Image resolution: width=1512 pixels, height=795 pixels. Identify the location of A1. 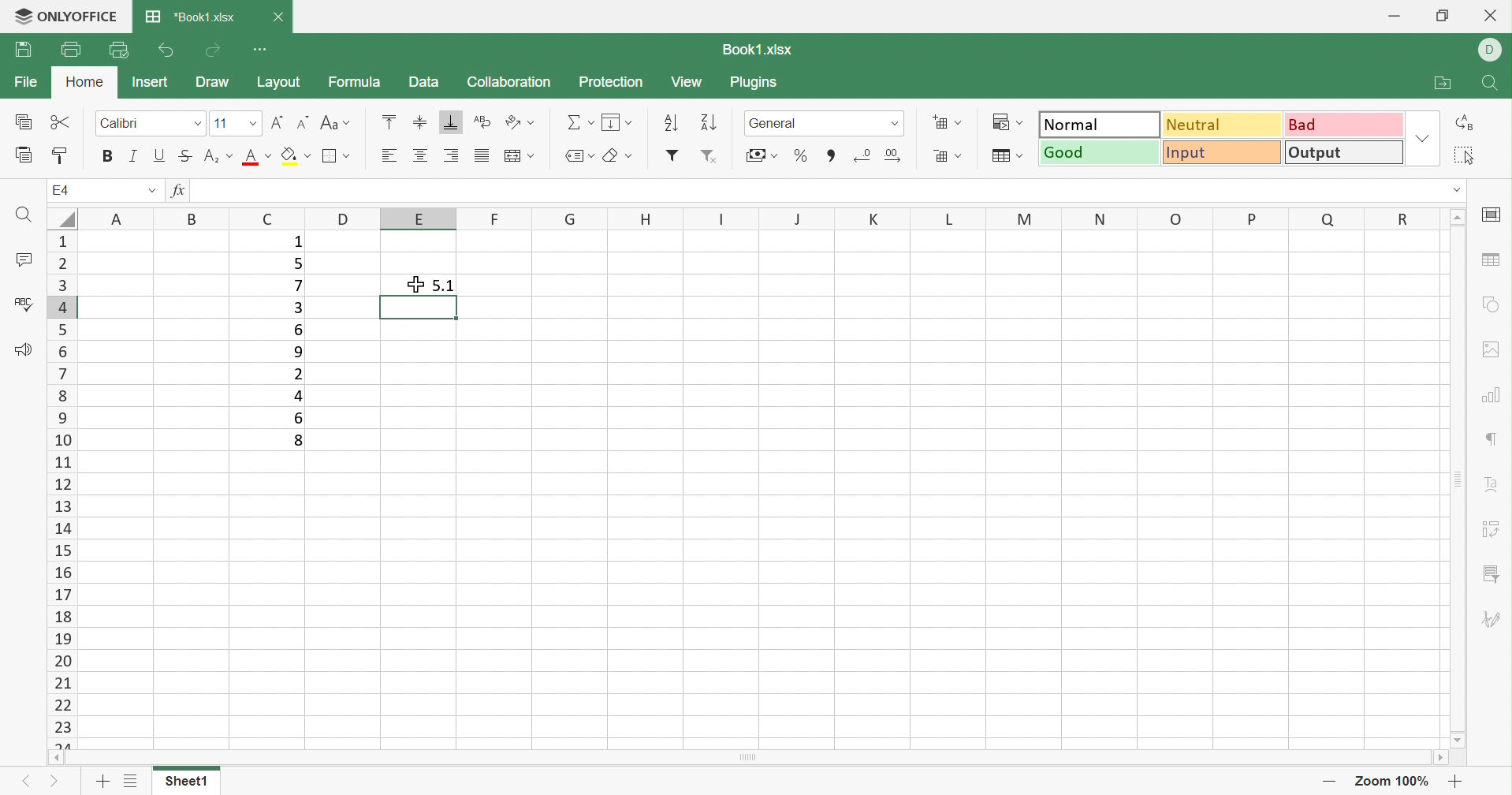
(62, 190).